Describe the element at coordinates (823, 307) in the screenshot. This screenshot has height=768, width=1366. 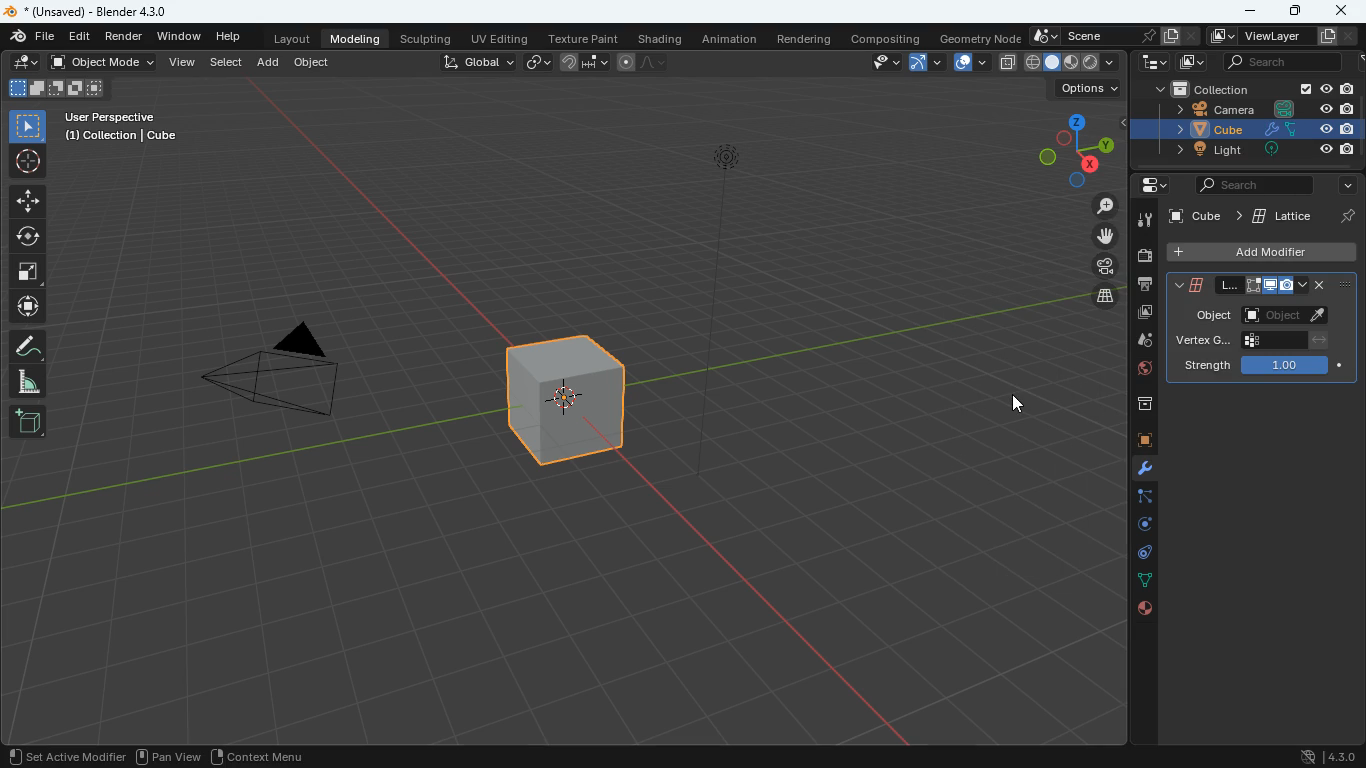
I see `` at that location.